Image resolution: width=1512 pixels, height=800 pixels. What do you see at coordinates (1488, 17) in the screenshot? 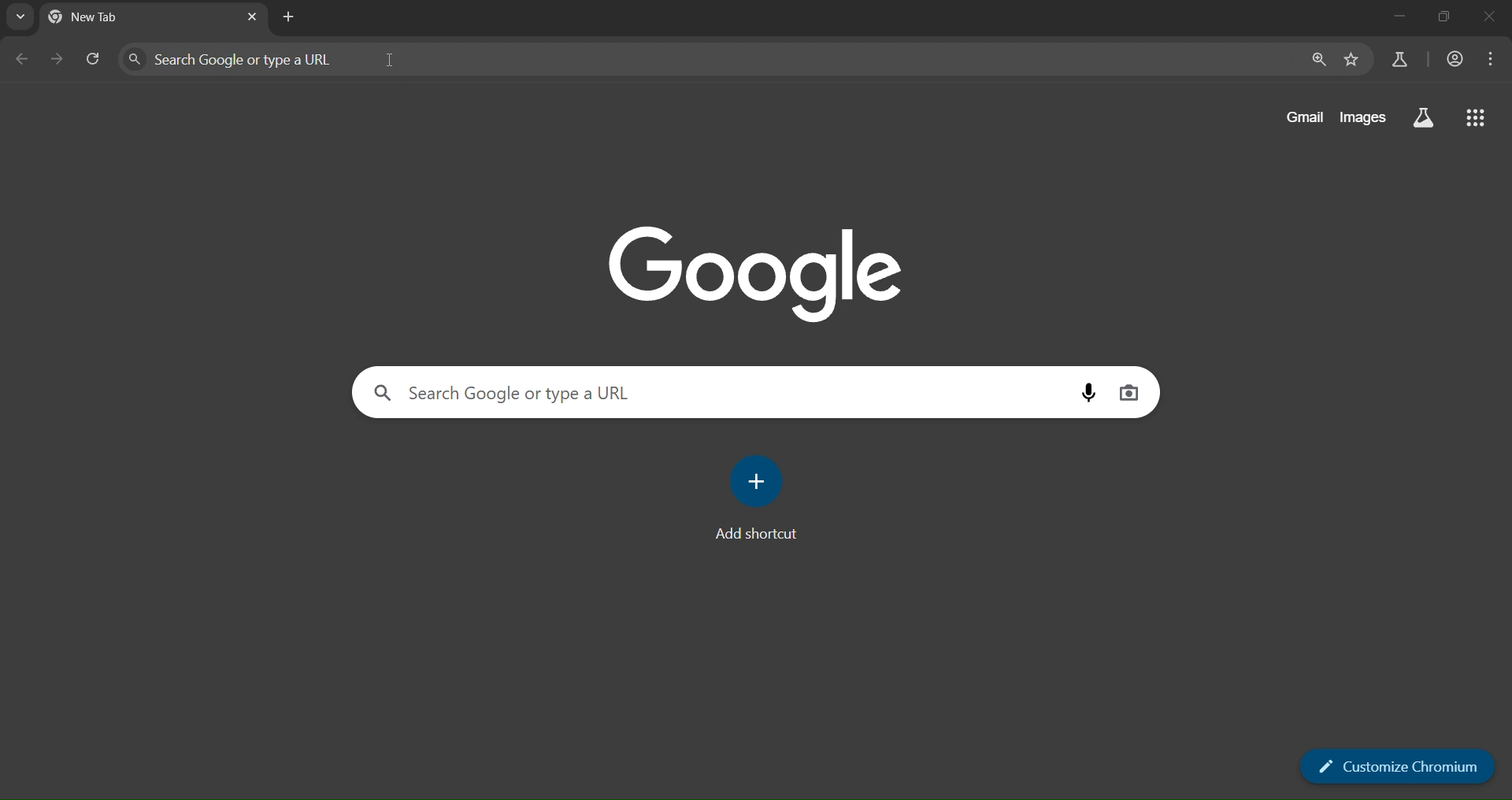
I see `close` at bounding box center [1488, 17].